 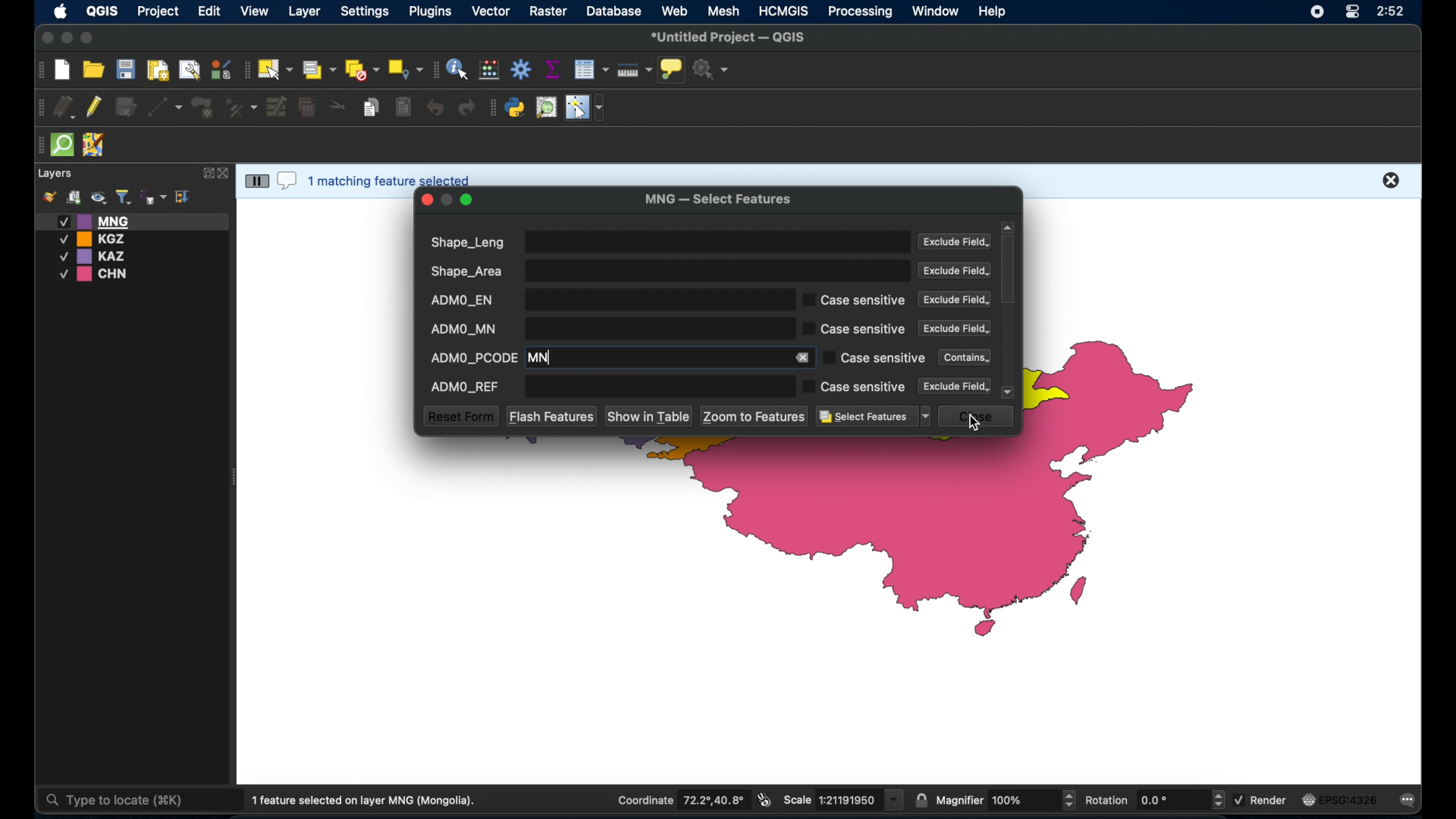 What do you see at coordinates (133, 221) in the screenshot?
I see `MNG` at bounding box center [133, 221].